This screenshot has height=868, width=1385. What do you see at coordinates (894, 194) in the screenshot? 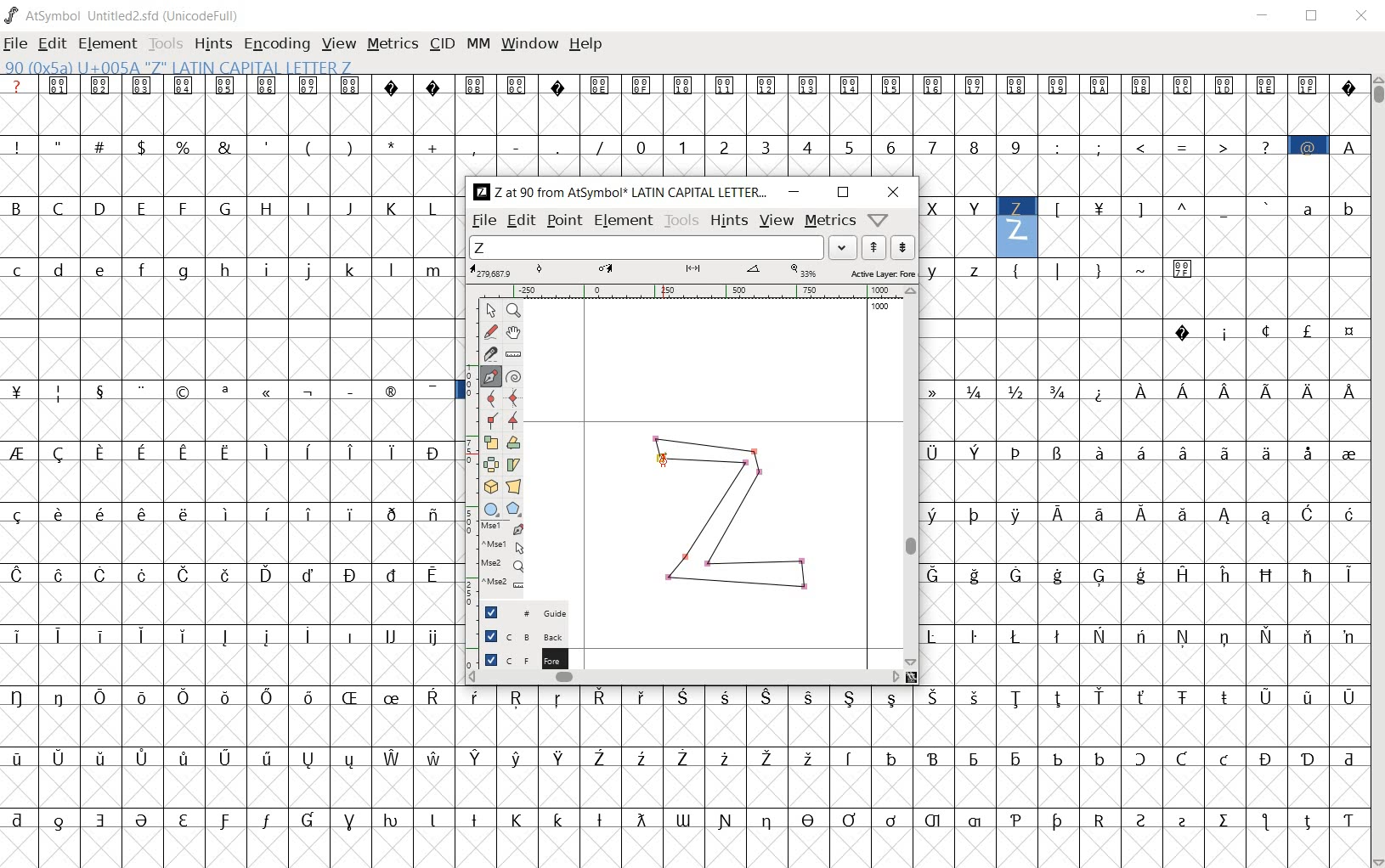
I see `close` at bounding box center [894, 194].